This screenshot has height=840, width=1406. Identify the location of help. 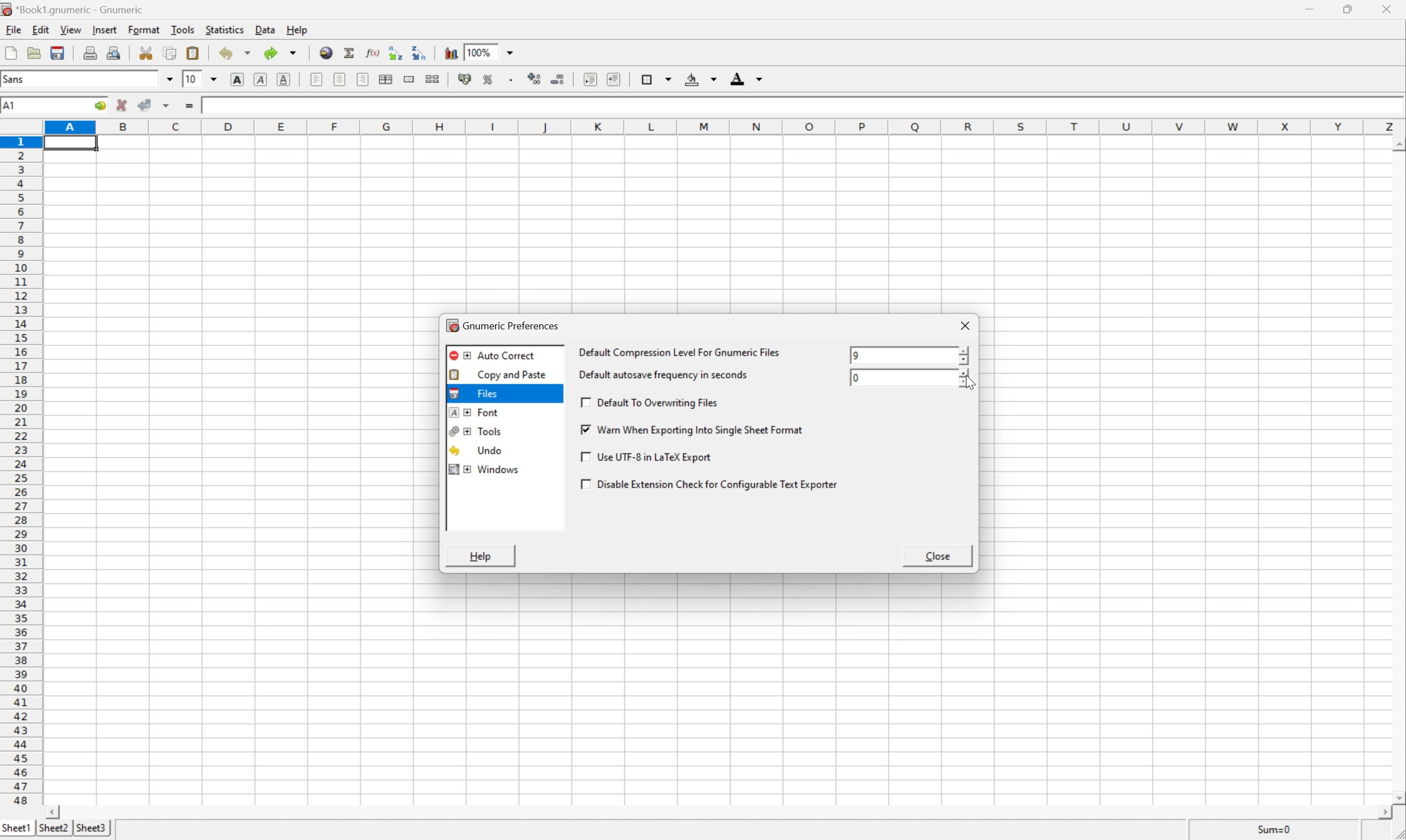
(298, 29).